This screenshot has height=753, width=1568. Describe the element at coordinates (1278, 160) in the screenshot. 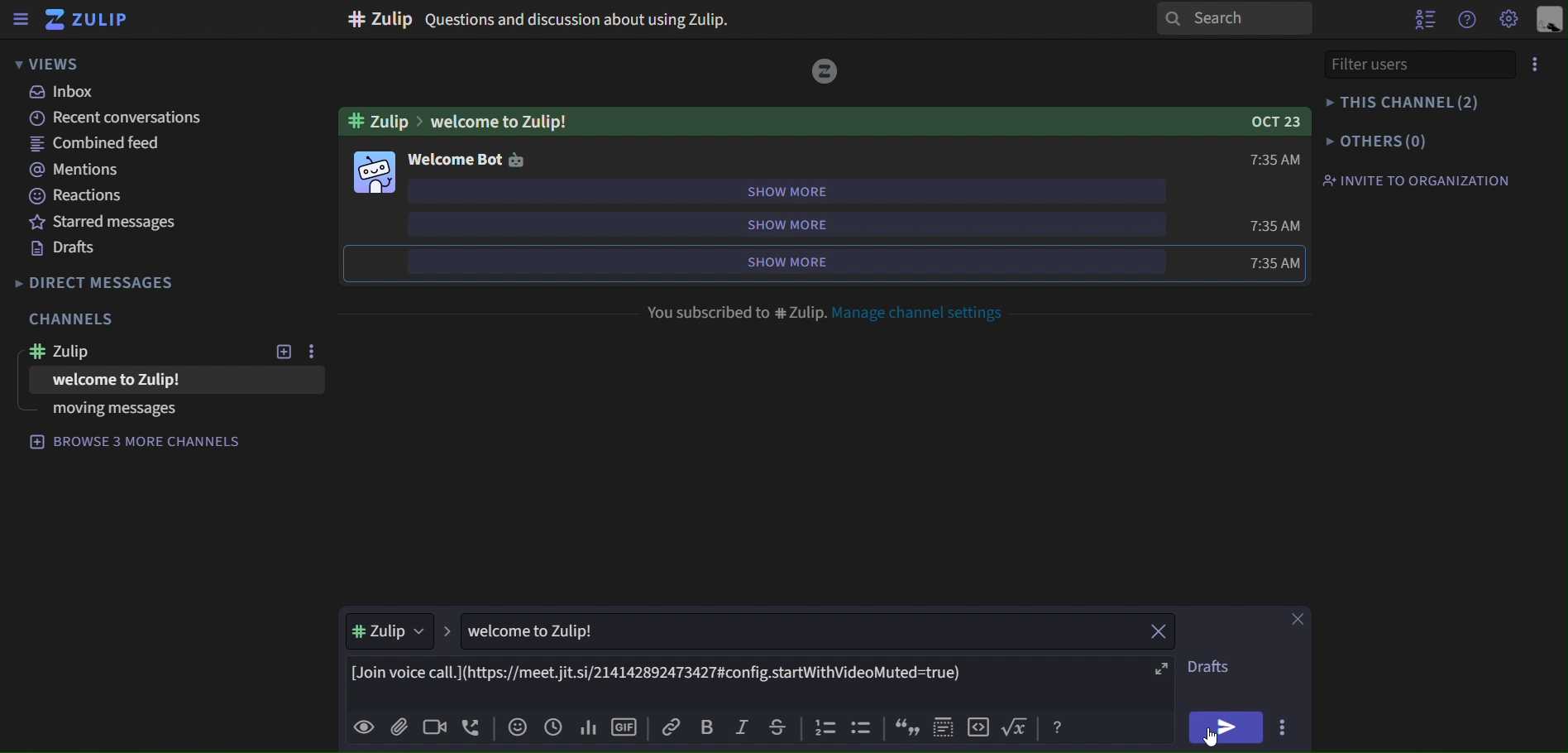

I see `7:35 AM` at that location.